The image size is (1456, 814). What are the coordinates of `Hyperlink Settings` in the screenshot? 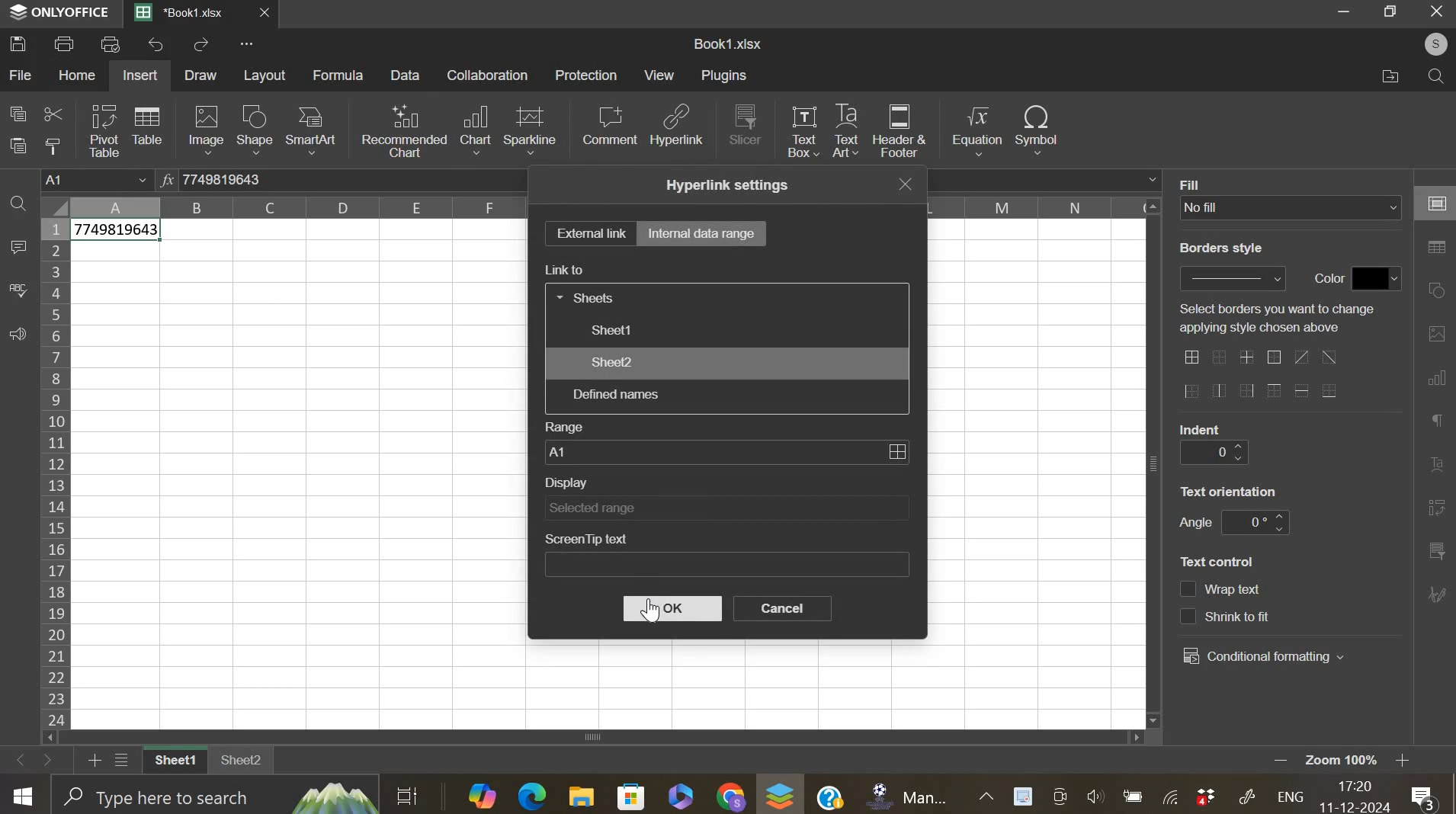 It's located at (723, 184).